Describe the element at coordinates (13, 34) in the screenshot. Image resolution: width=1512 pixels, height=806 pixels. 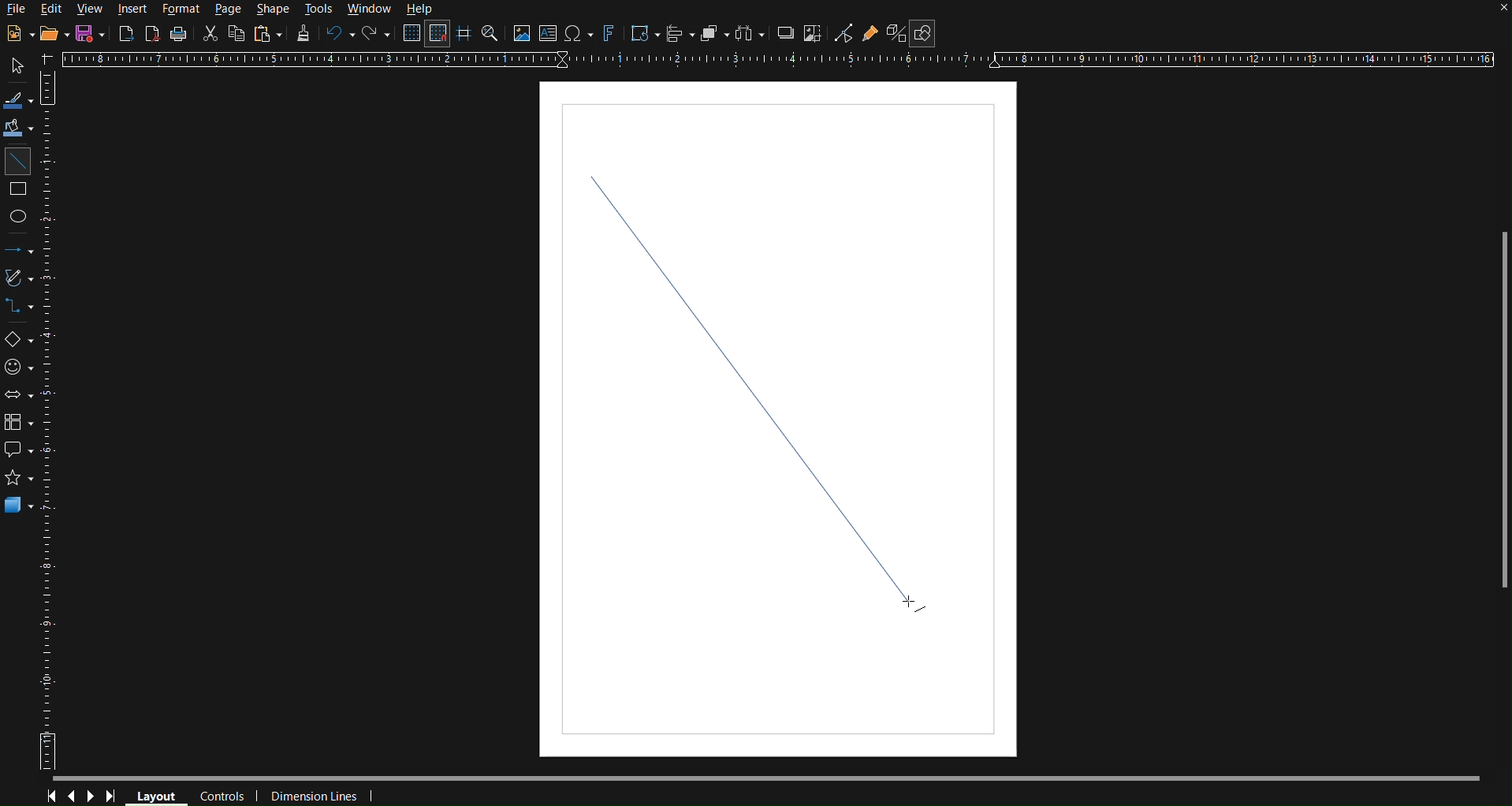
I see `` at that location.